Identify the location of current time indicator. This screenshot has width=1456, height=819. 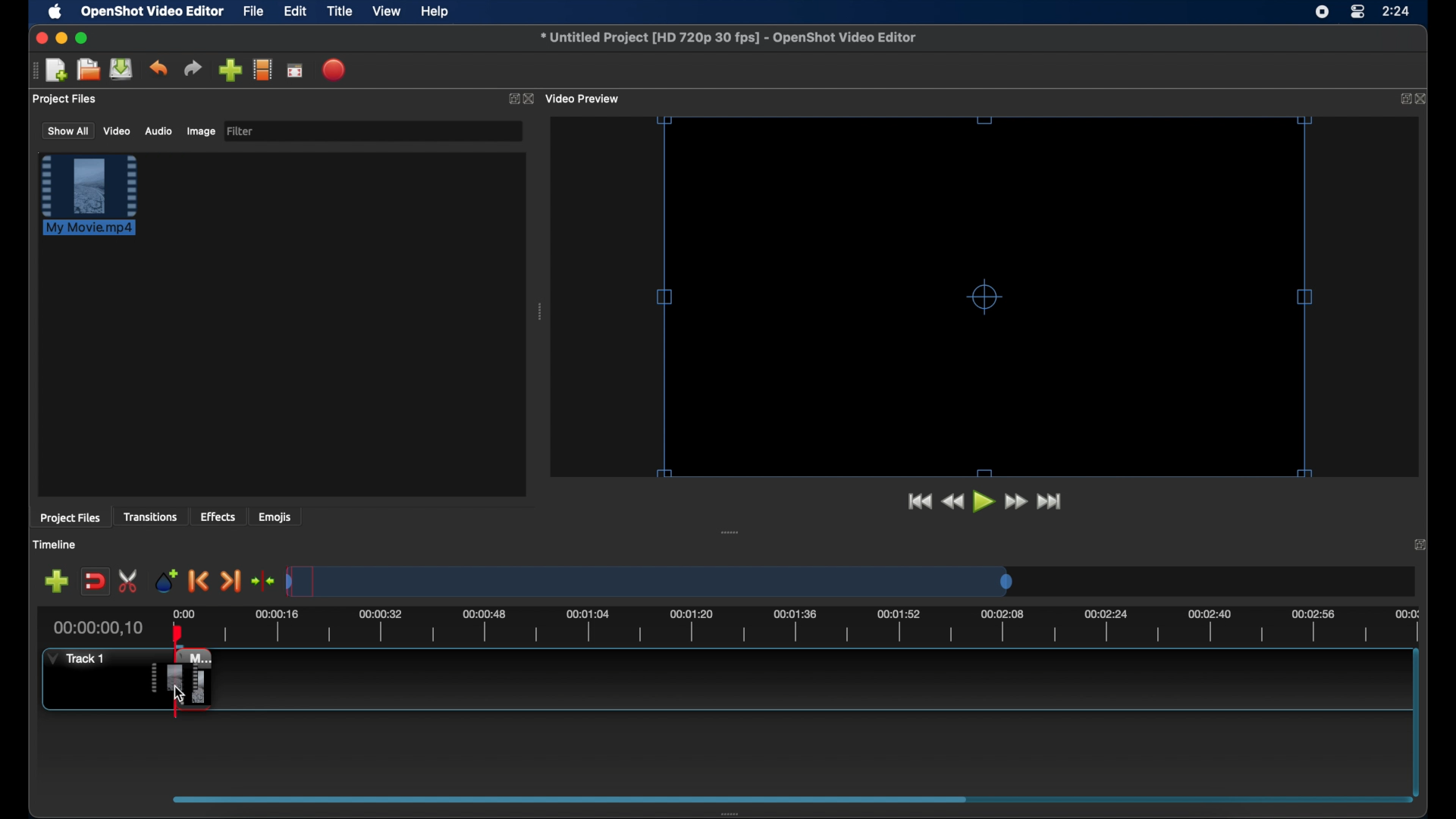
(97, 628).